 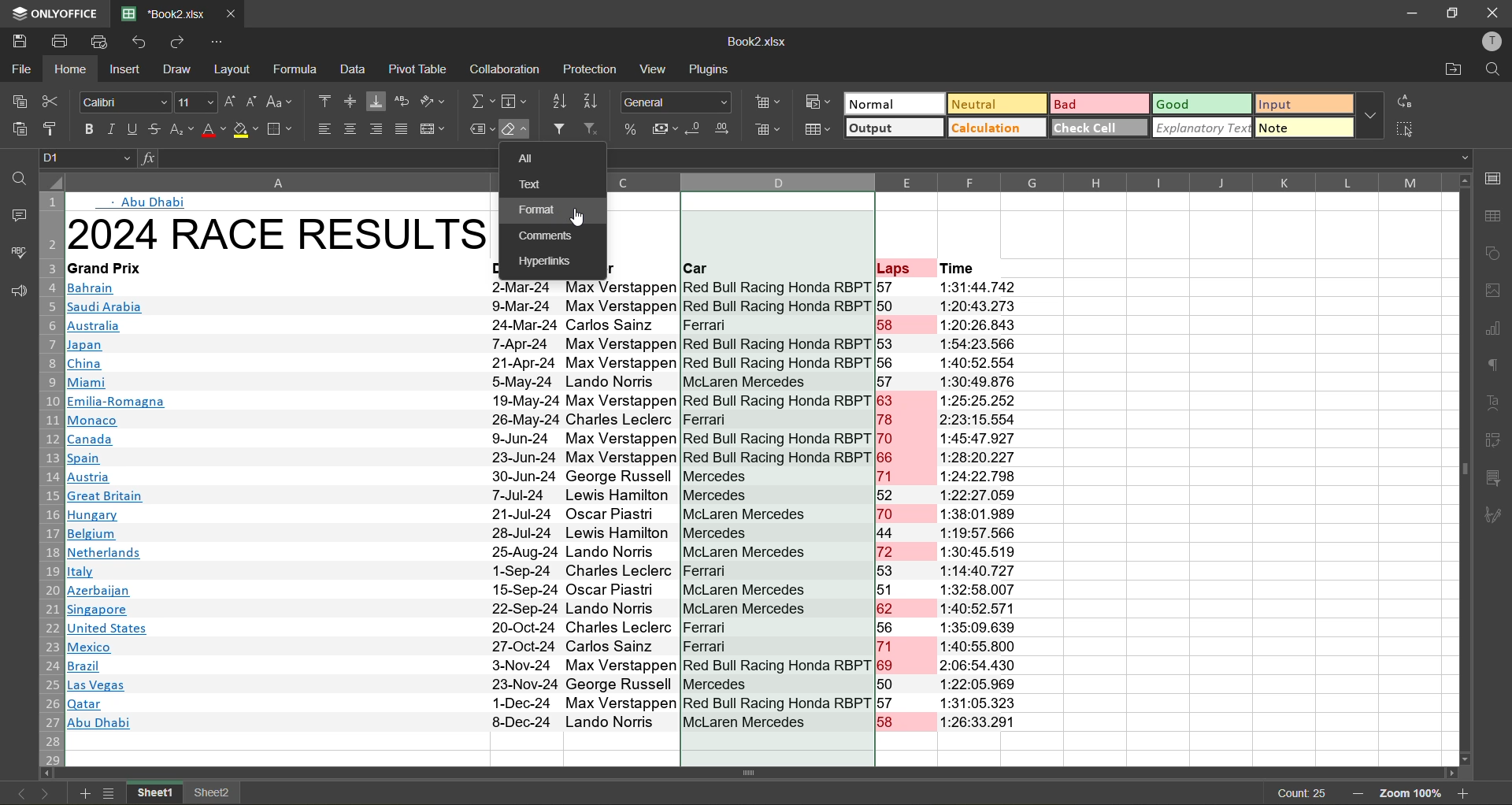 What do you see at coordinates (176, 69) in the screenshot?
I see `draw` at bounding box center [176, 69].